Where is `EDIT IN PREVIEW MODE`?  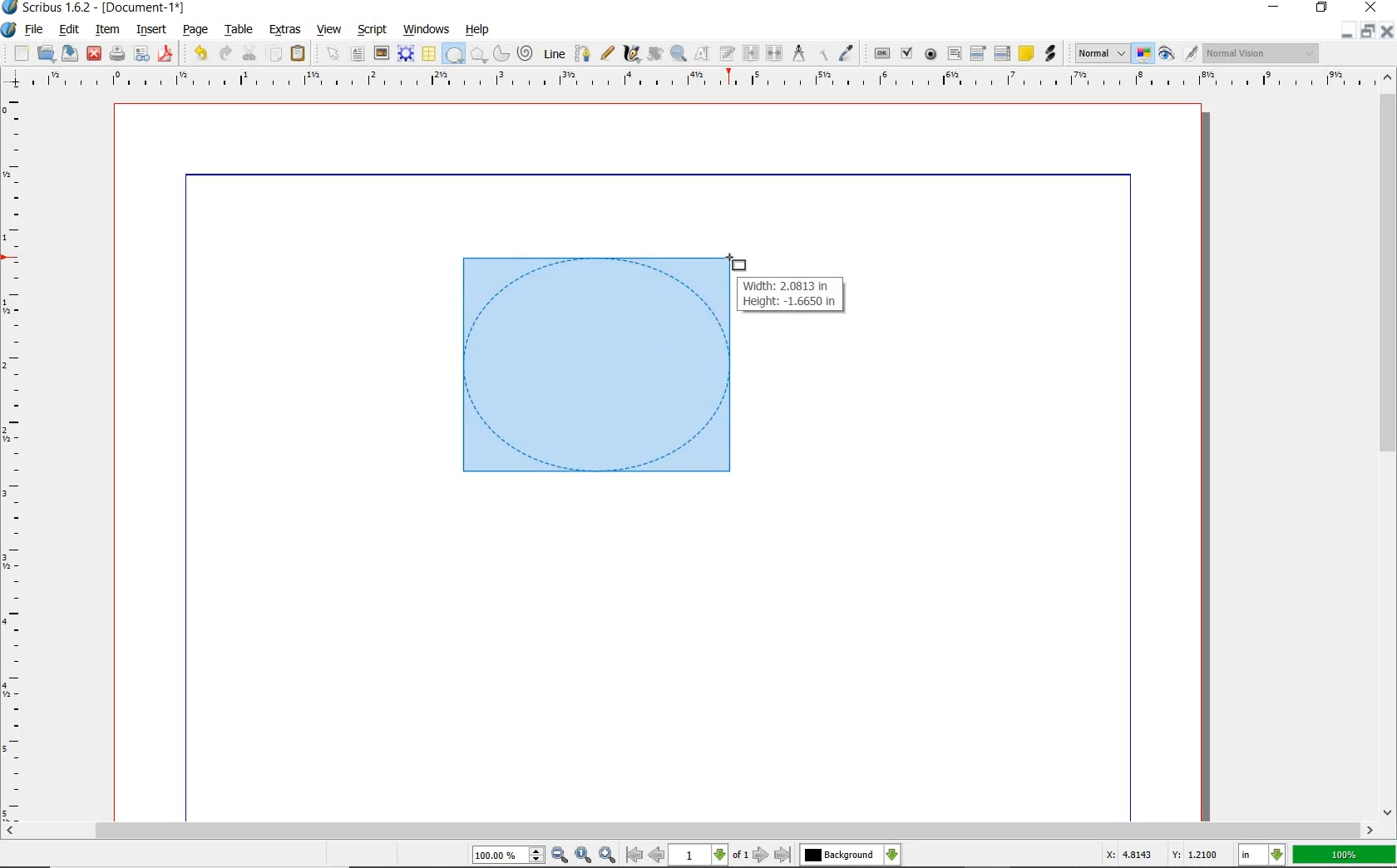 EDIT IN PREVIEW MODE is located at coordinates (1190, 52).